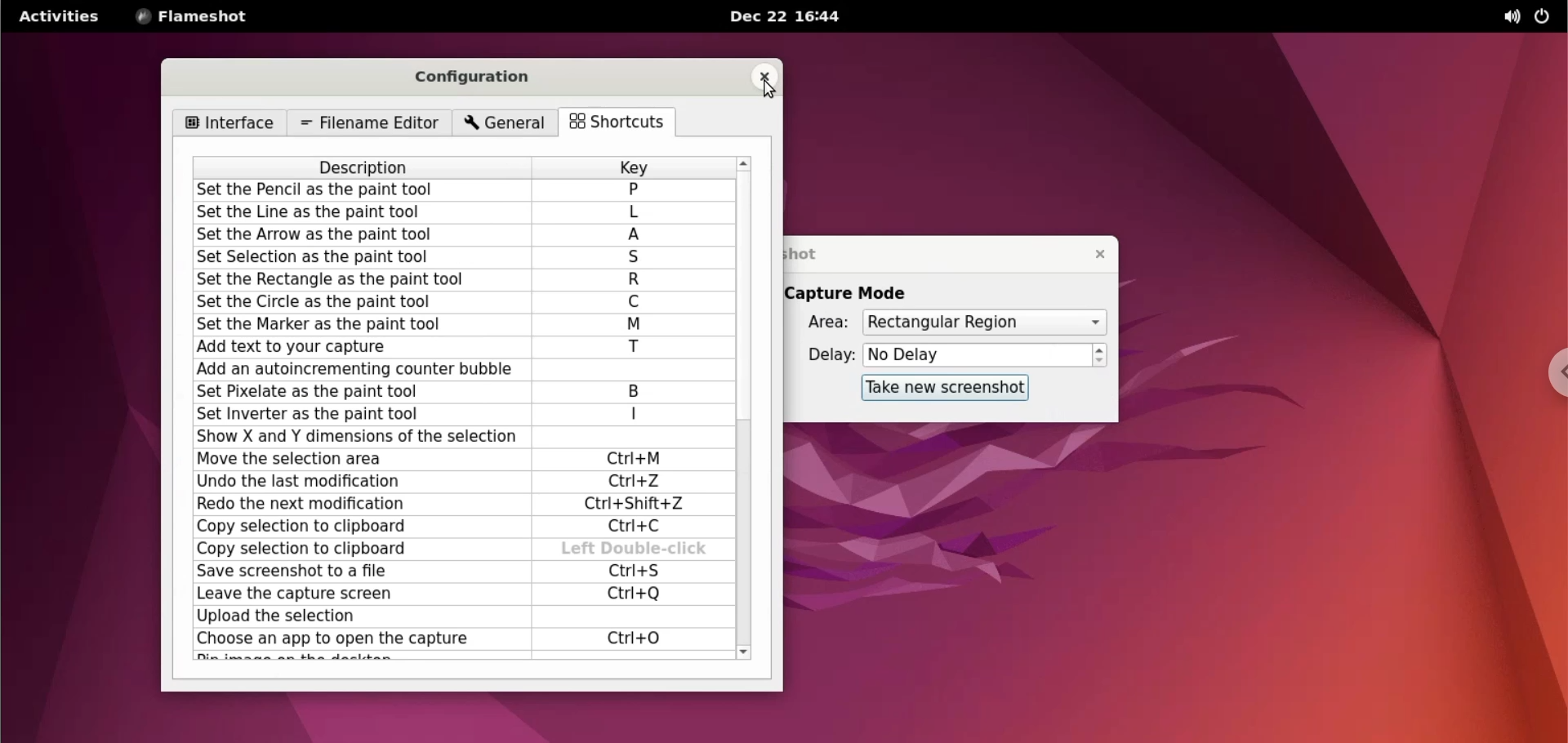 The image size is (1568, 743). Describe the element at coordinates (363, 236) in the screenshot. I see `set the arrow as the paint tool` at that location.